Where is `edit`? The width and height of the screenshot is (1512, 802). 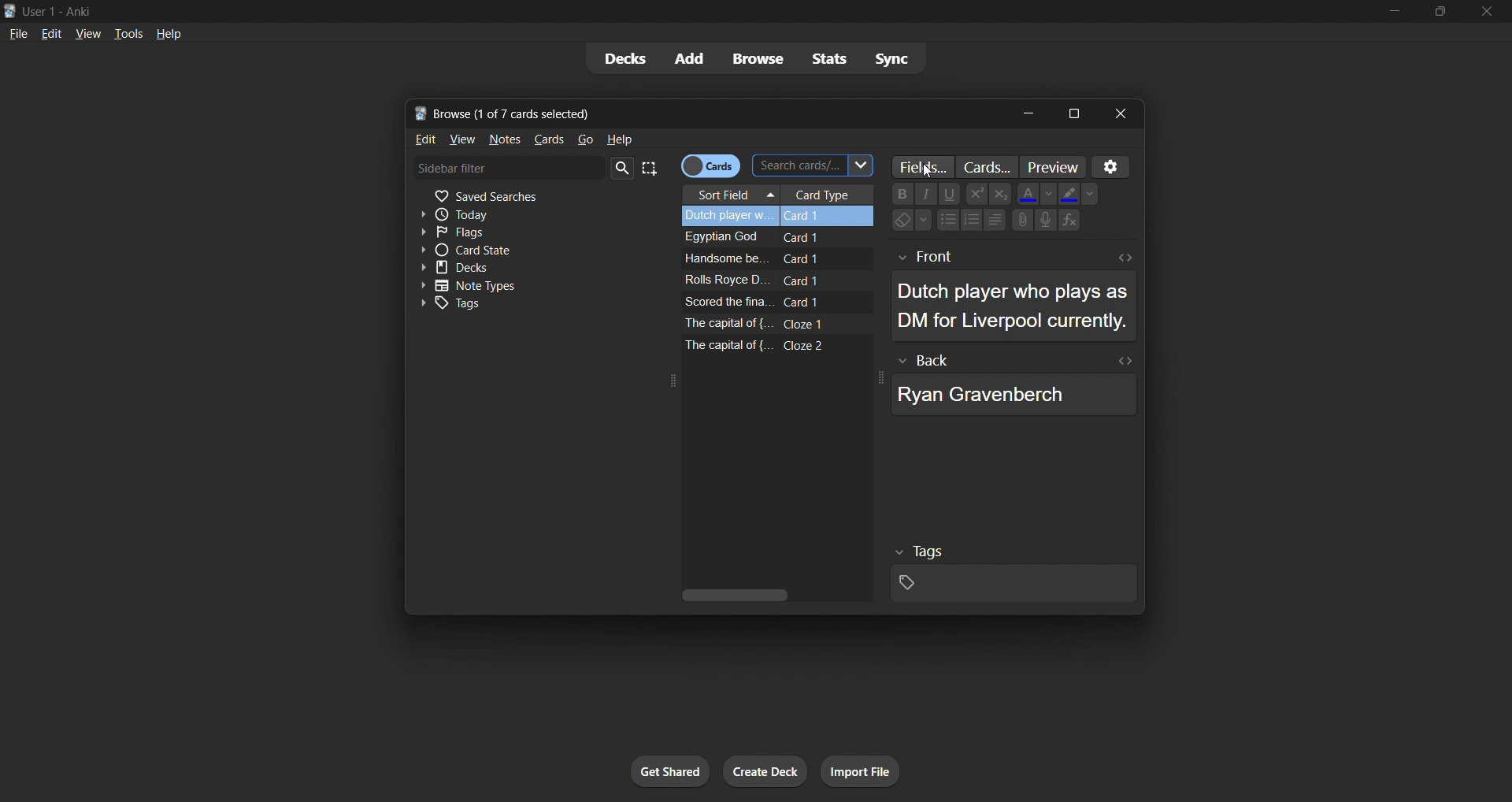
edit is located at coordinates (425, 139).